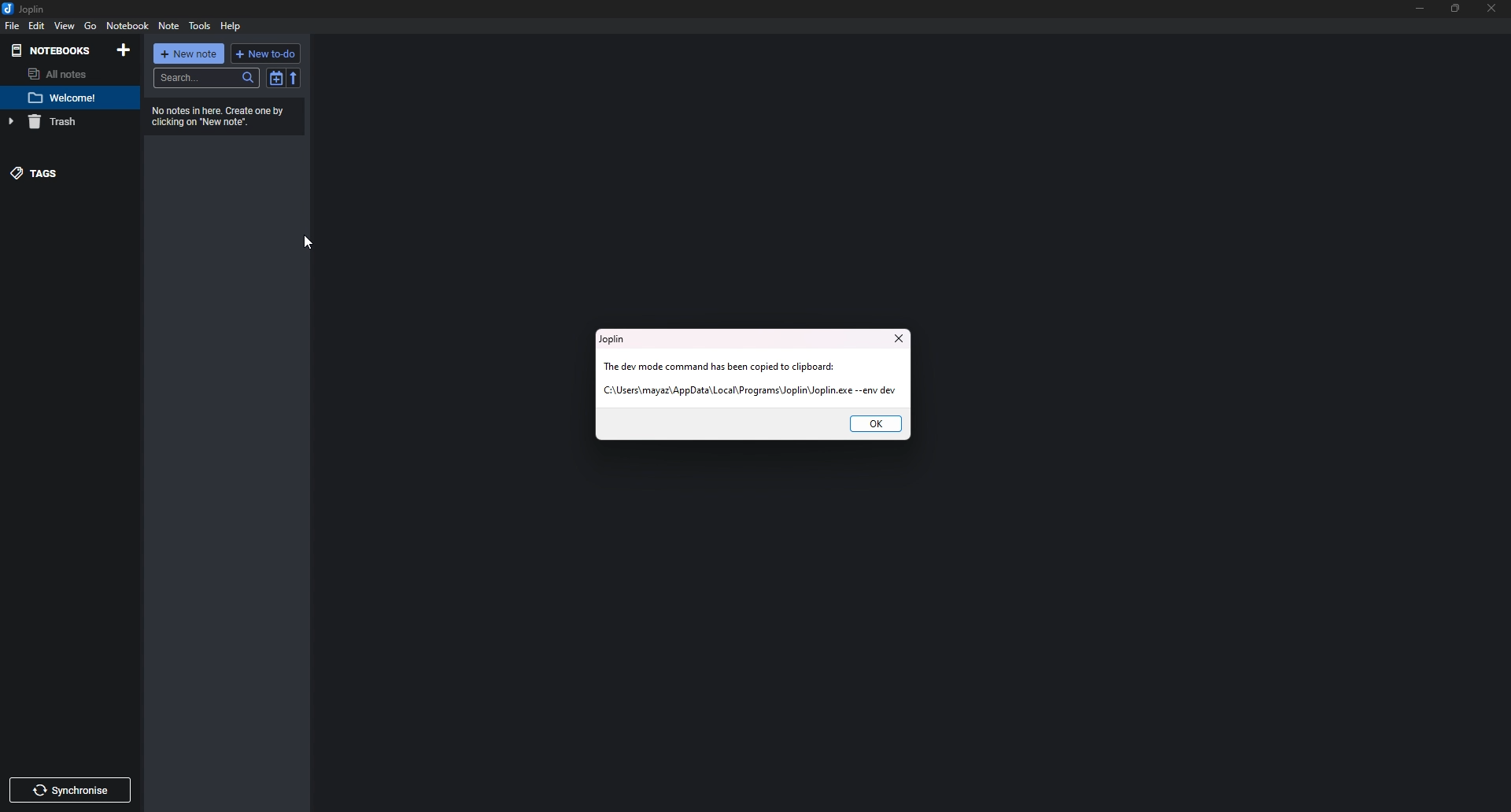 The height and width of the screenshot is (812, 1511). I want to click on path, so click(749, 391).